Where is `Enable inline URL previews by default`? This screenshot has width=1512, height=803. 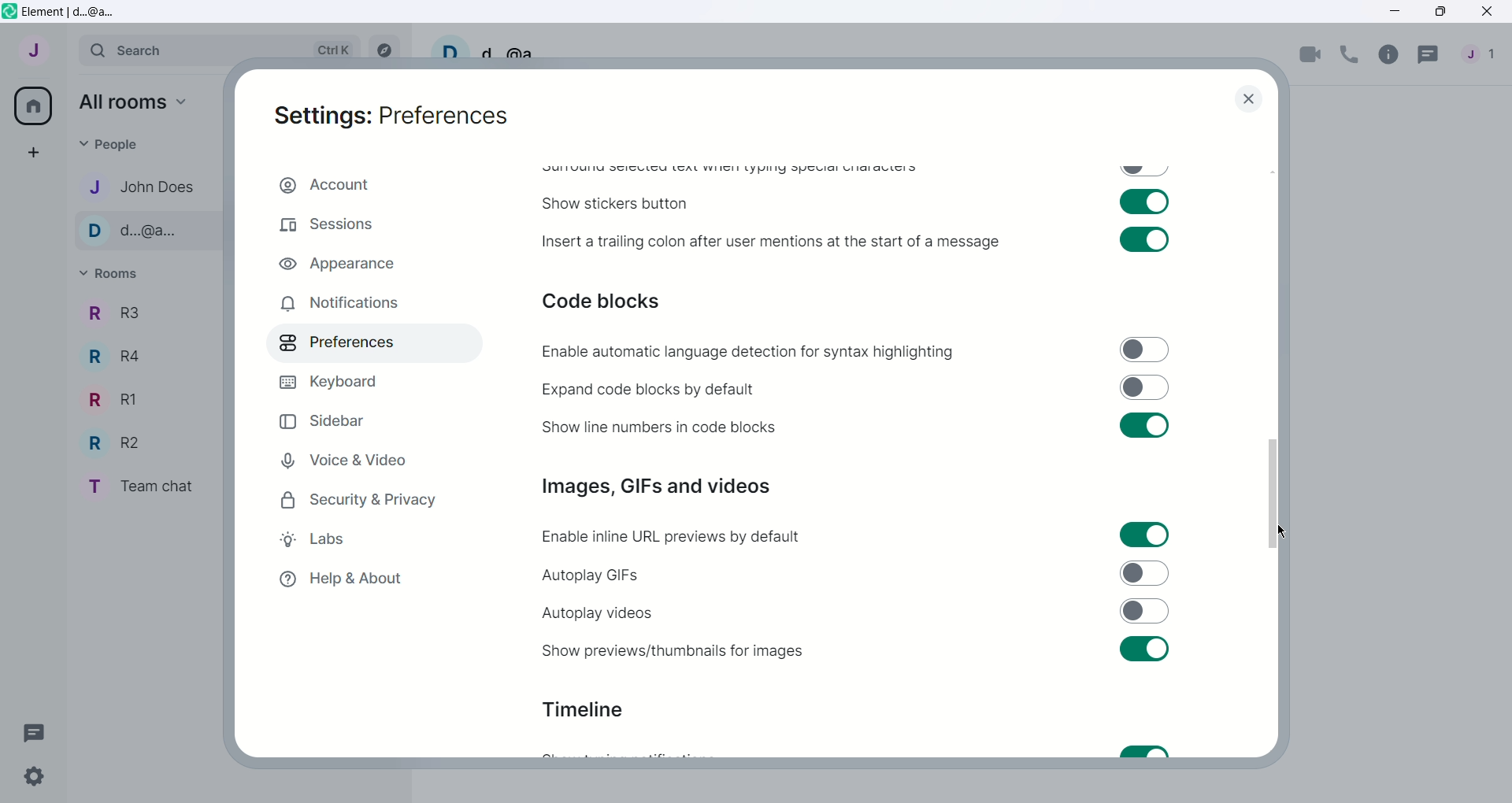 Enable inline URL previews by default is located at coordinates (673, 537).